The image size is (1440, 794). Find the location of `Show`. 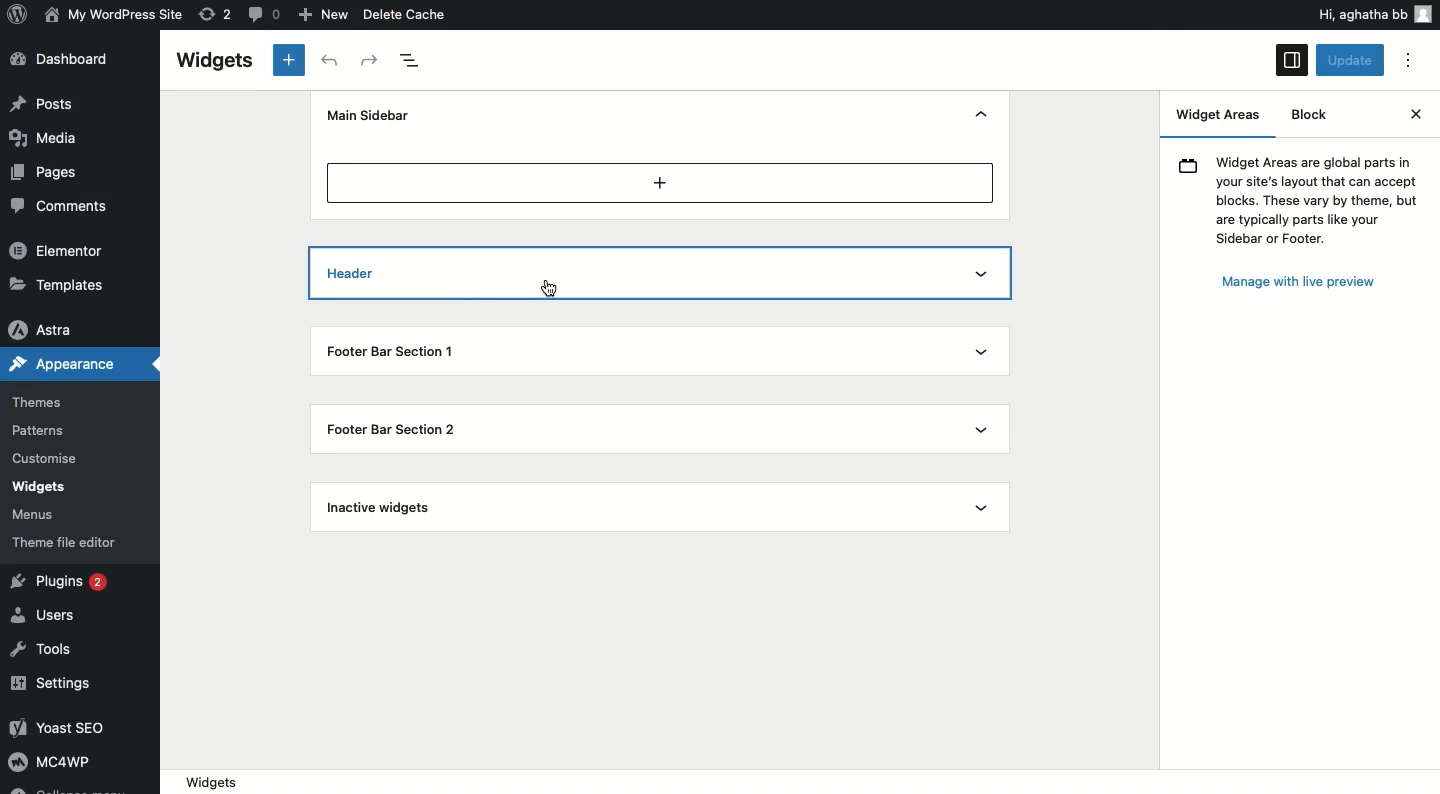

Show is located at coordinates (979, 355).